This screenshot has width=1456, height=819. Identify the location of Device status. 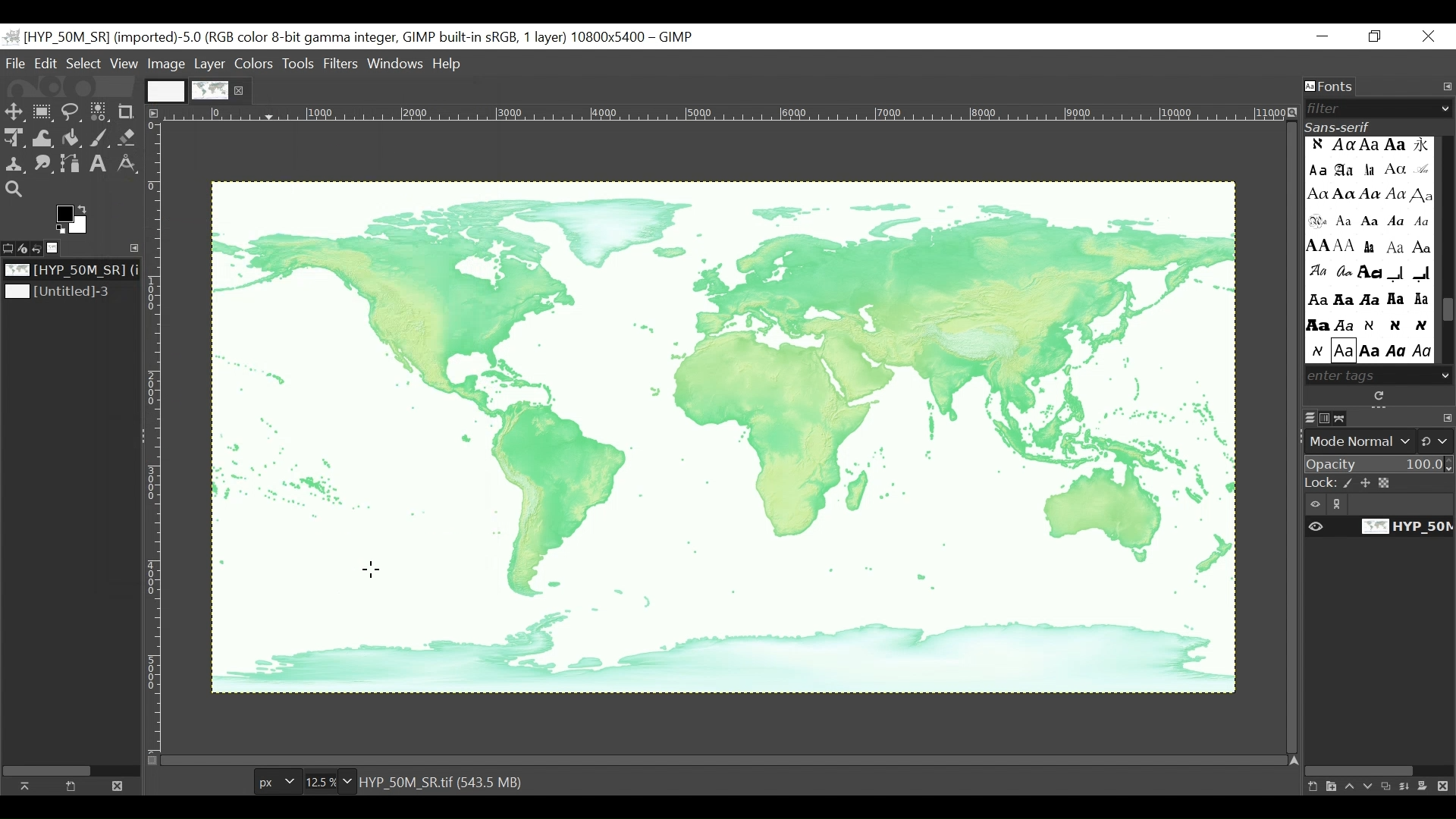
(25, 247).